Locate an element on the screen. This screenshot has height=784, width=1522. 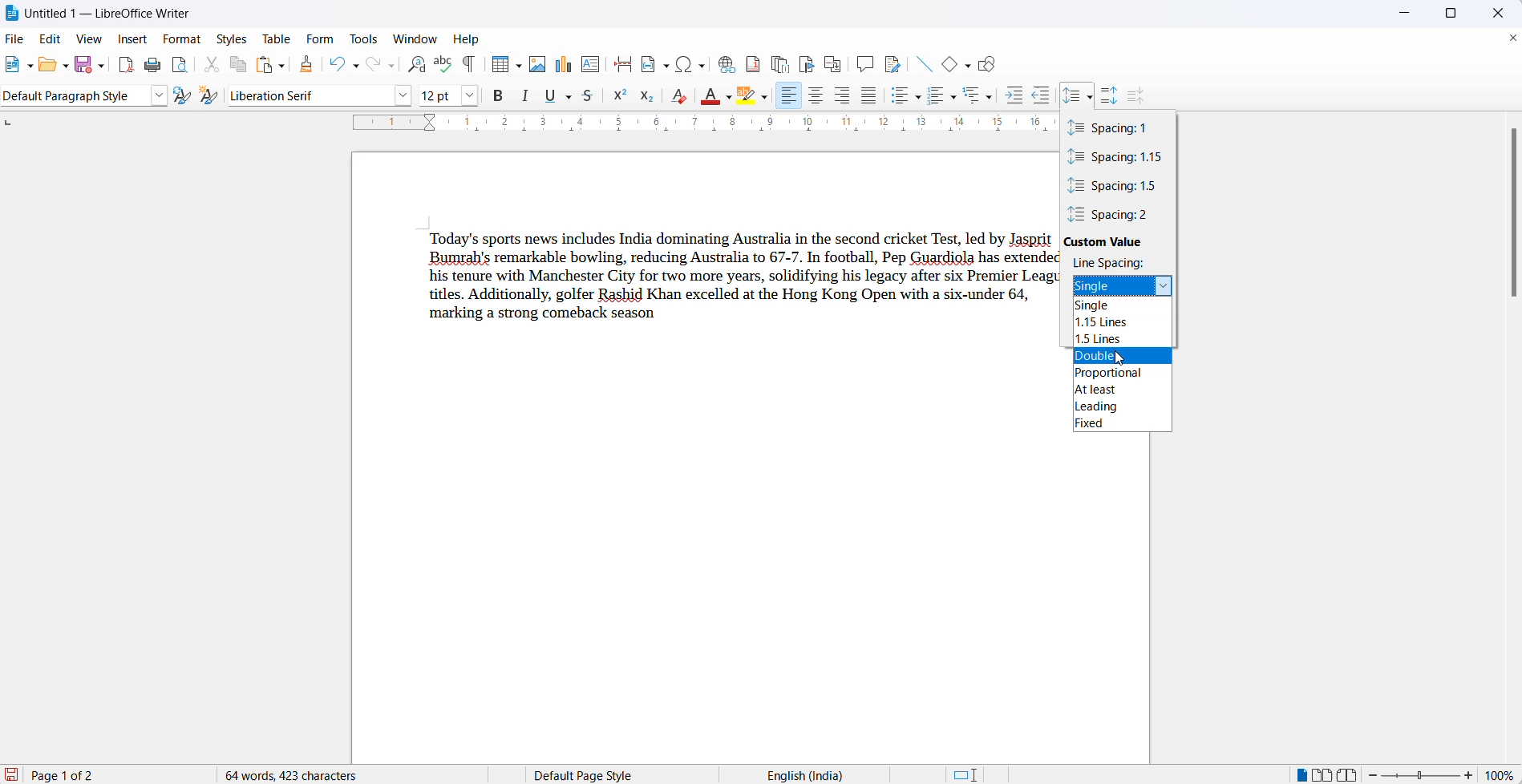
character highlight options is located at coordinates (764, 99).